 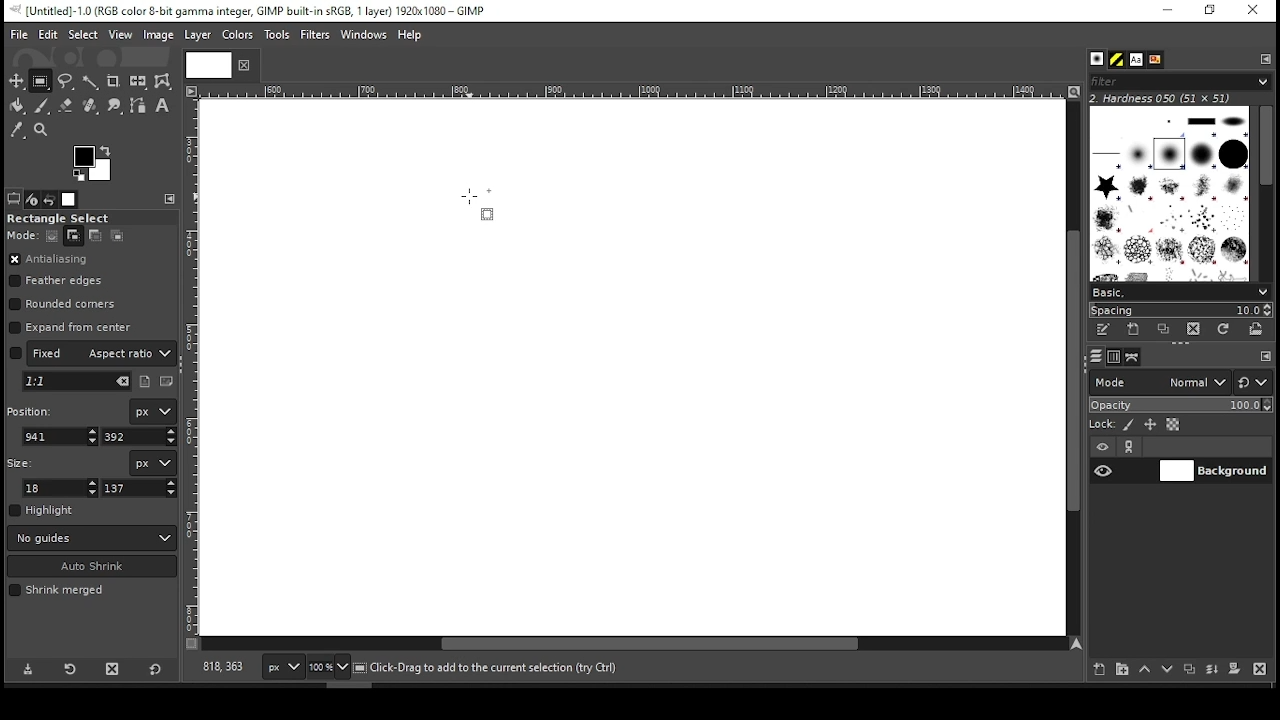 I want to click on close window, so click(x=1252, y=11).